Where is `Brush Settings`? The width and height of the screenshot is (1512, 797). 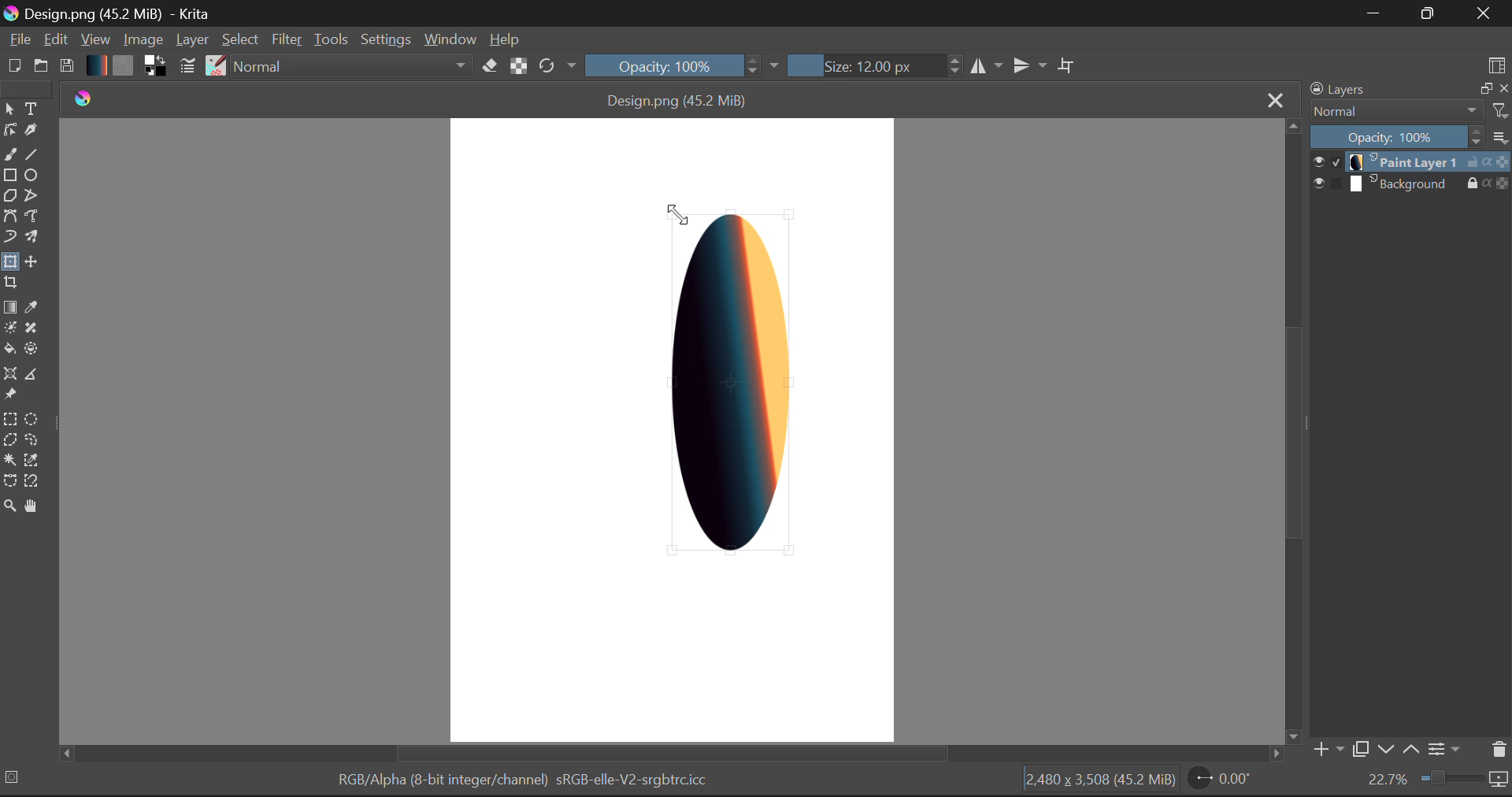 Brush Settings is located at coordinates (189, 67).